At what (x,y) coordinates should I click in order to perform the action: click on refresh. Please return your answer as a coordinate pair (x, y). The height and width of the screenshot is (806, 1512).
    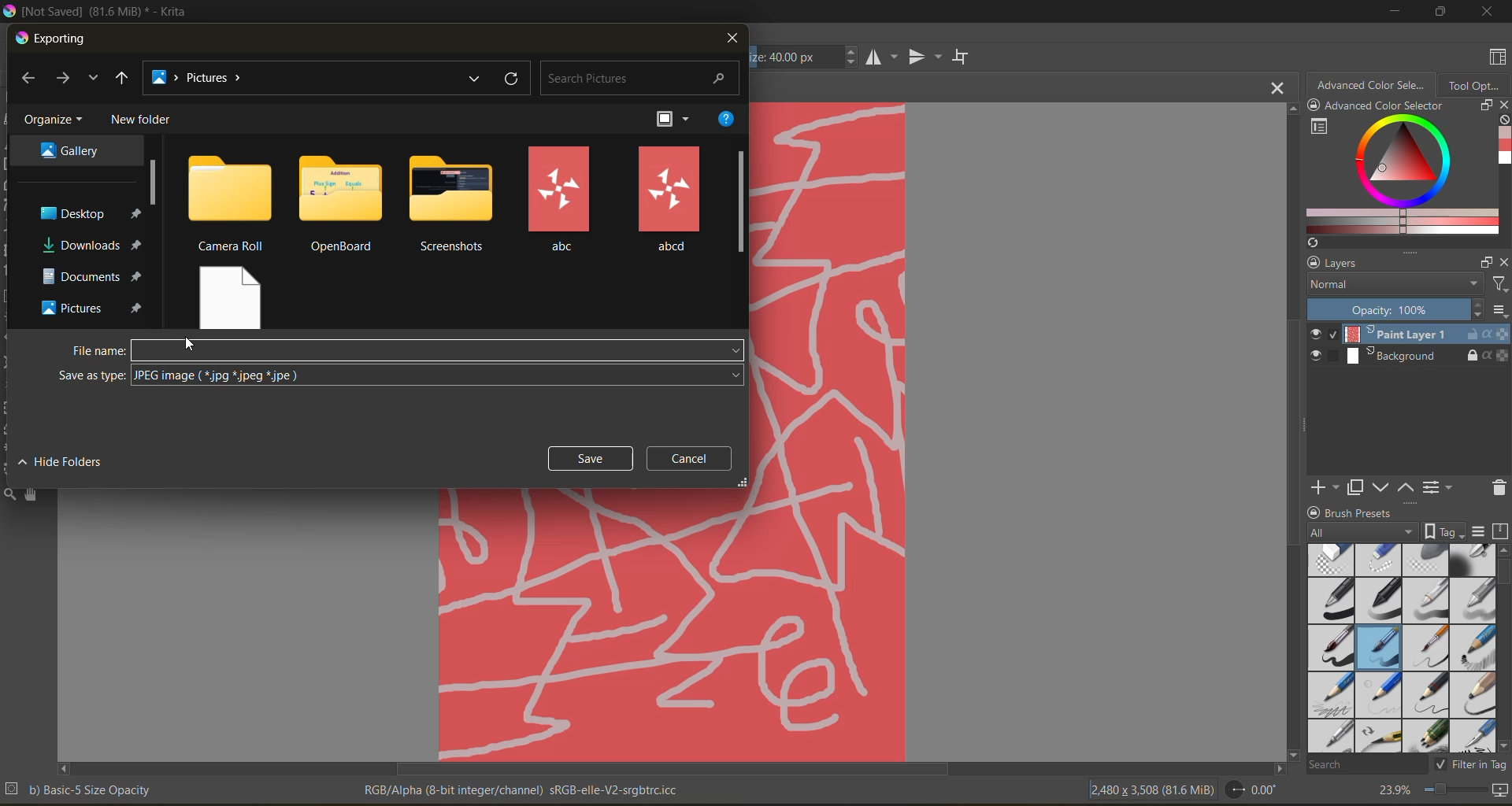
    Looking at the image, I should click on (513, 79).